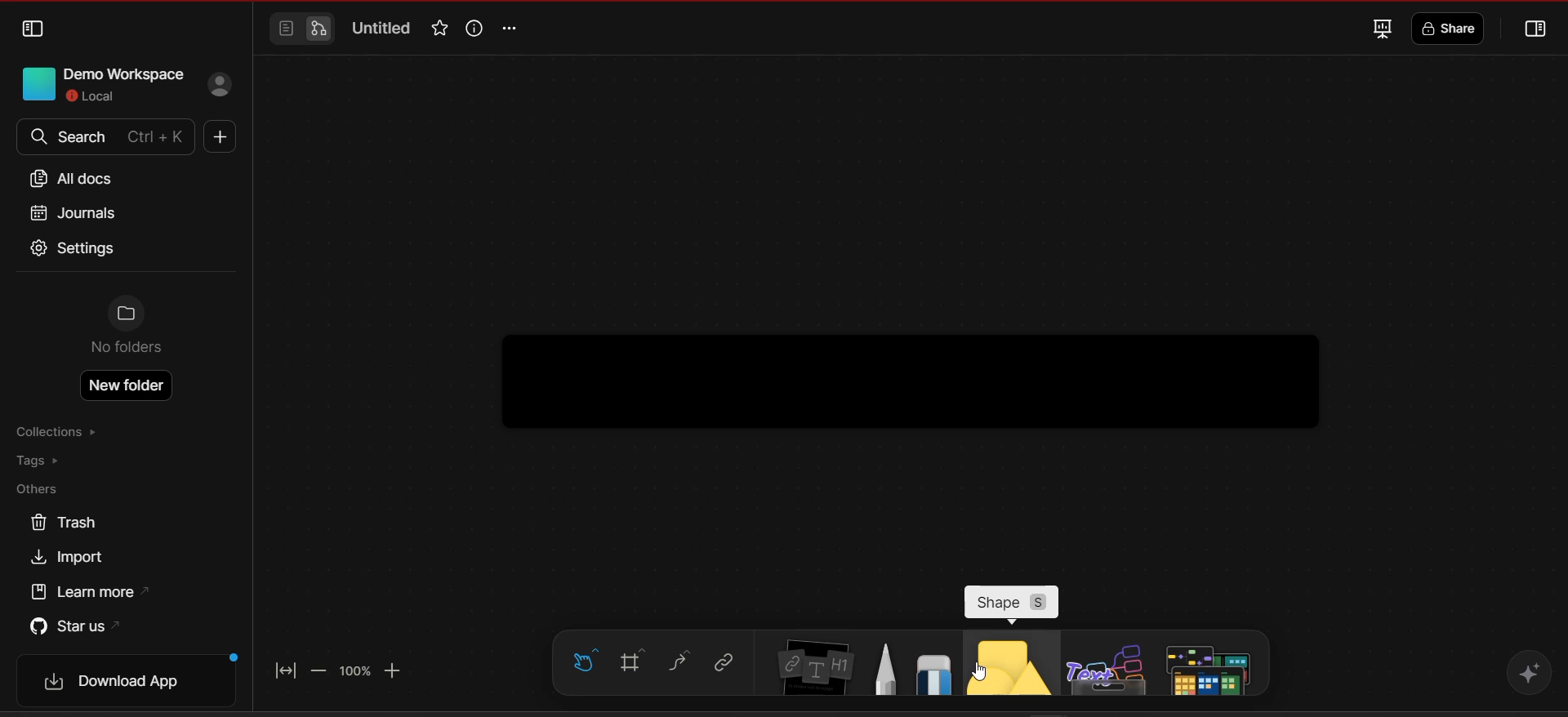 Image resolution: width=1568 pixels, height=717 pixels. Describe the element at coordinates (1451, 29) in the screenshot. I see `share` at that location.